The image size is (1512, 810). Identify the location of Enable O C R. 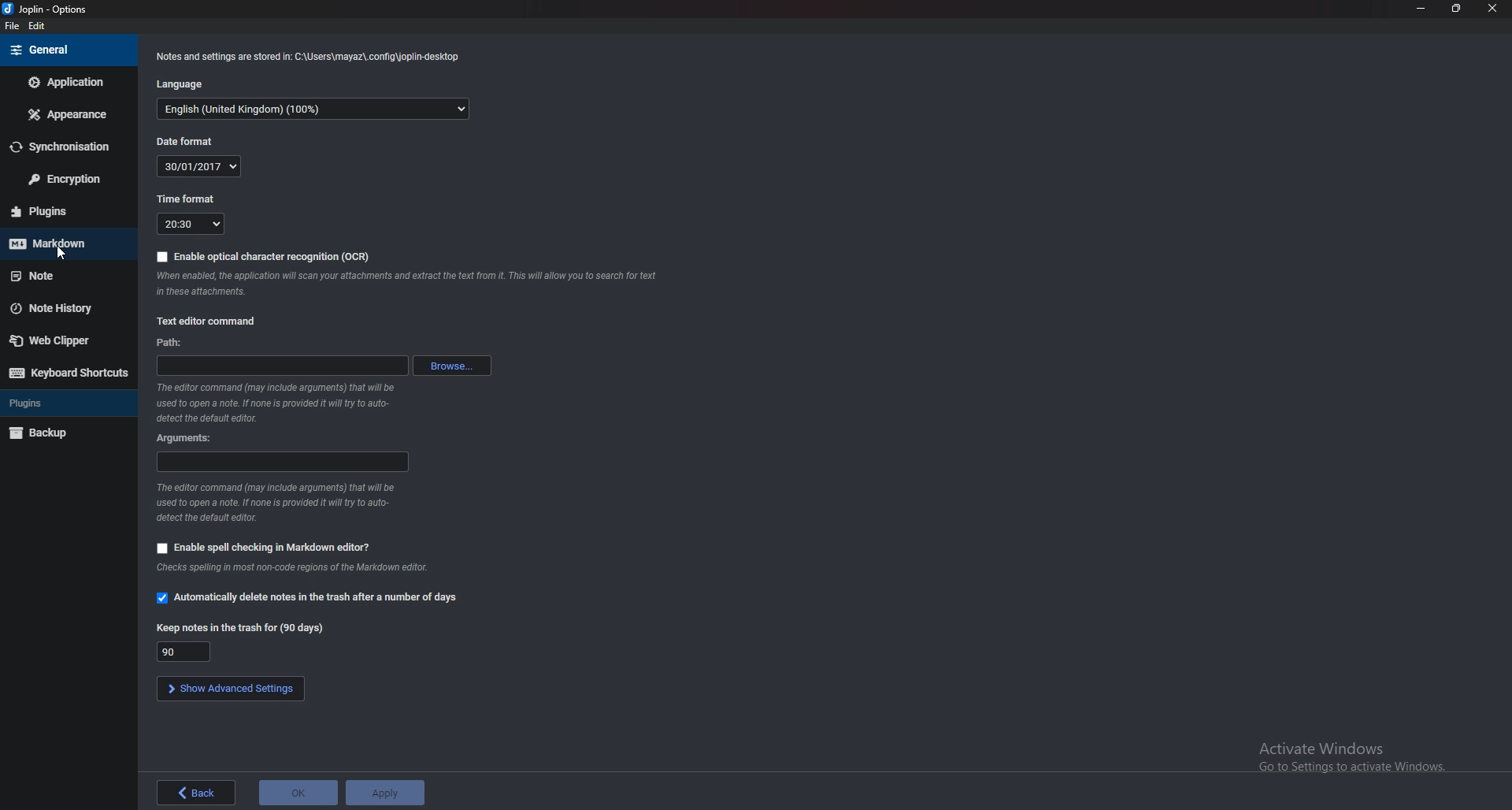
(267, 256).